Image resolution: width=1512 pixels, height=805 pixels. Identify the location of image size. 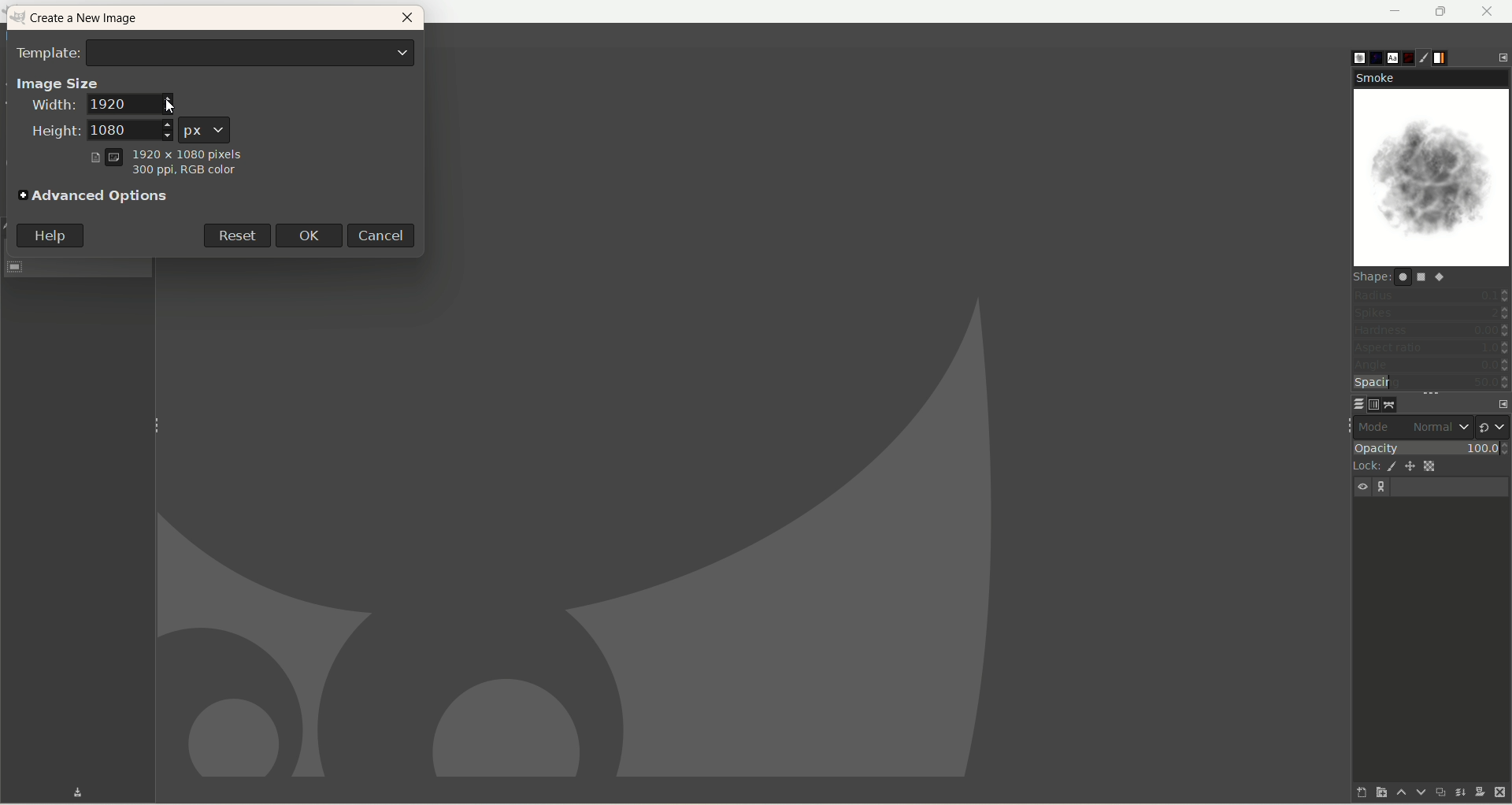
(57, 82).